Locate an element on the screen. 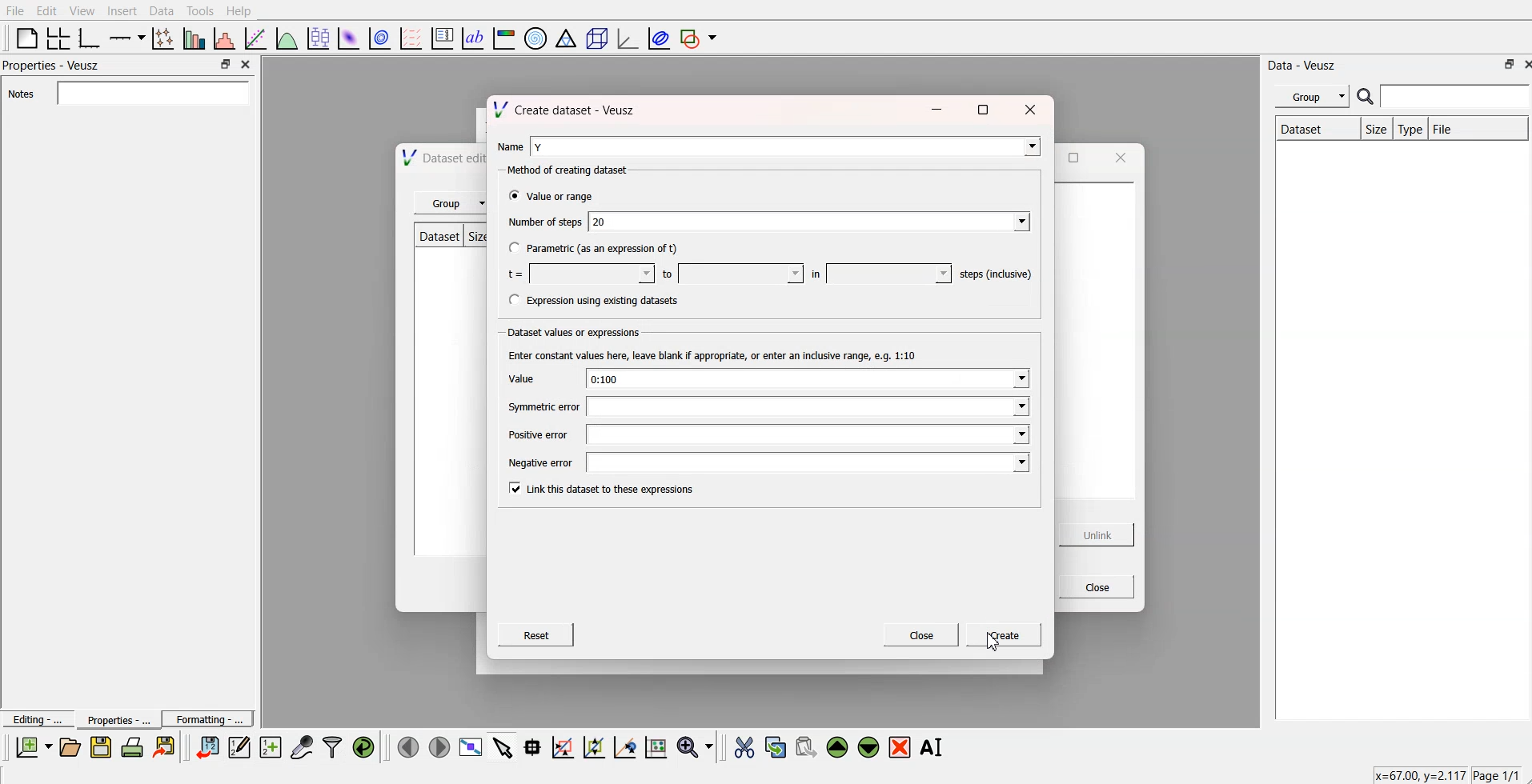  Capture remote data is located at coordinates (303, 746).